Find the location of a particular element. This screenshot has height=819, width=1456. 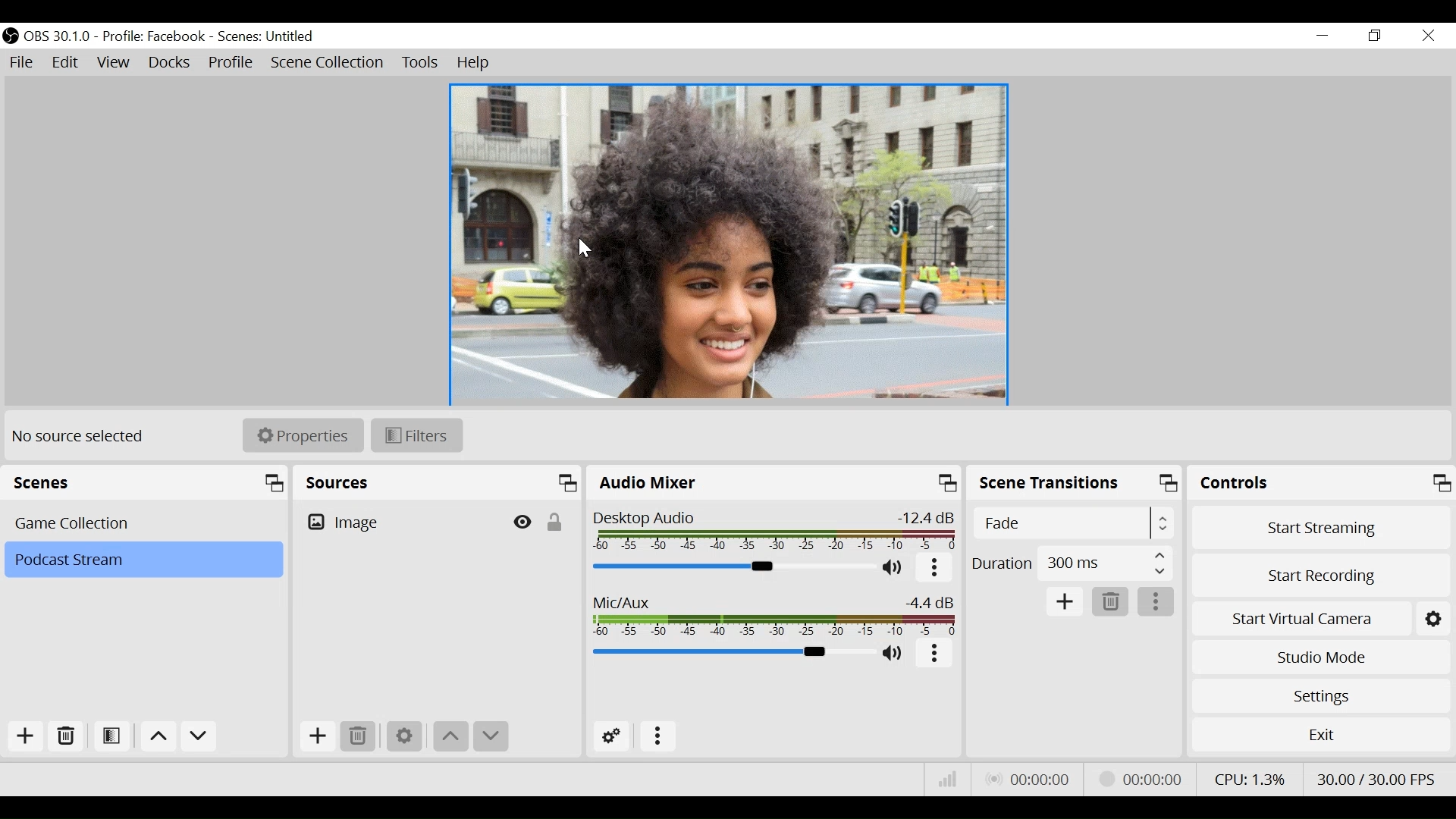

Select Scene Transition is located at coordinates (1072, 524).